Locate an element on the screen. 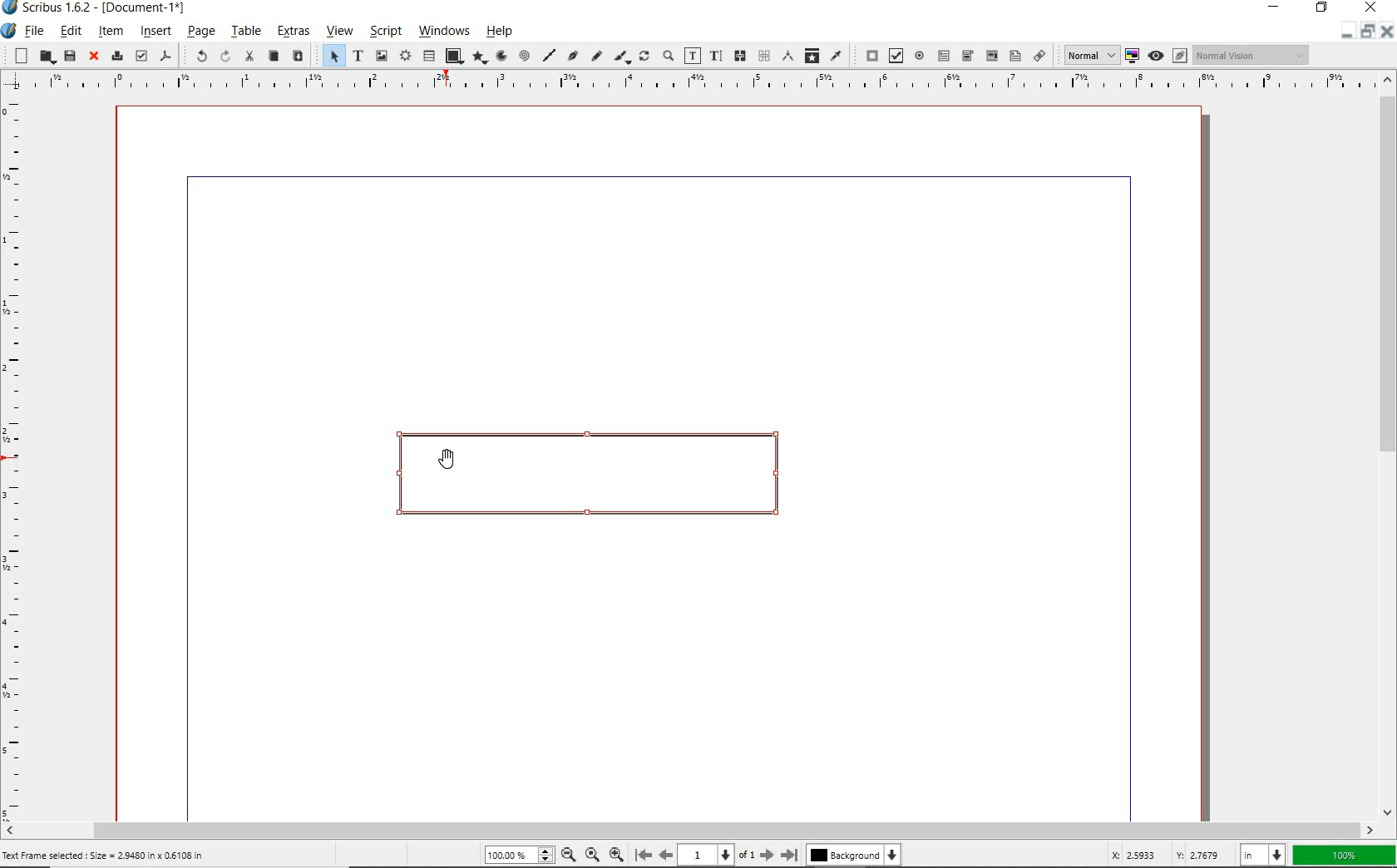 The image size is (1397, 868). Bezier curve is located at coordinates (572, 57).